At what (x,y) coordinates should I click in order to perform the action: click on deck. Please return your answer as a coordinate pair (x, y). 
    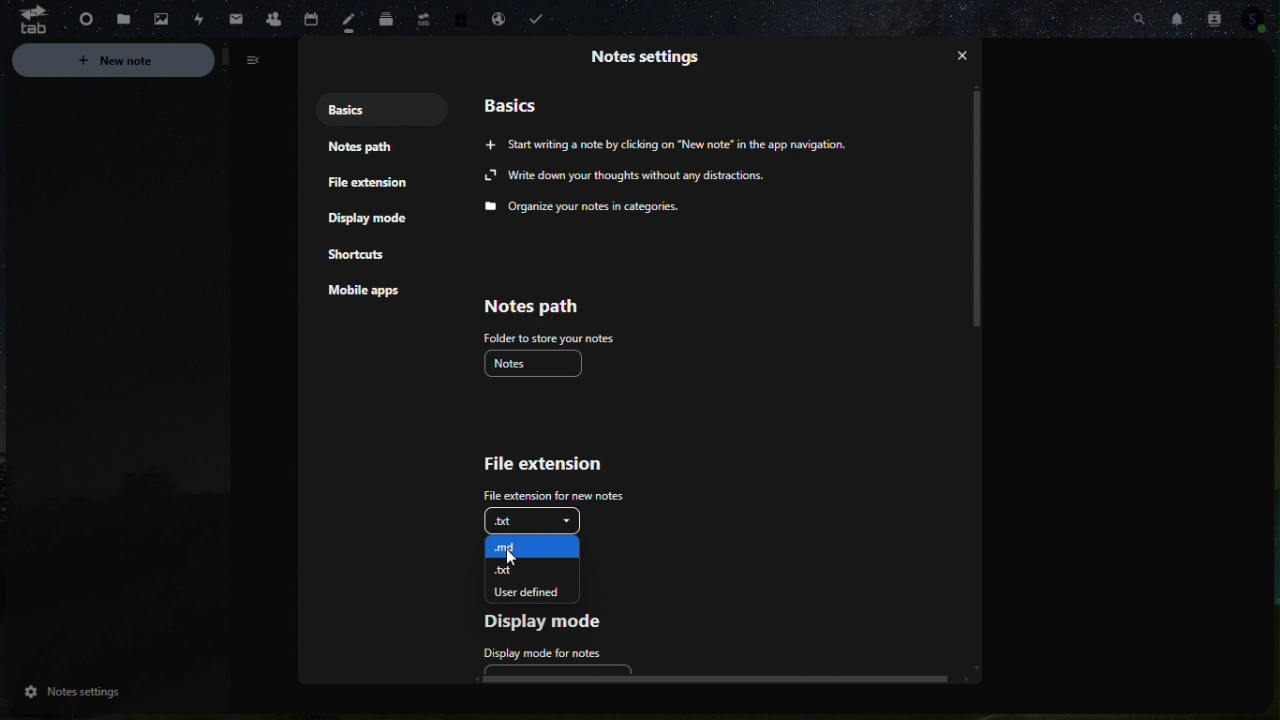
    Looking at the image, I should click on (388, 20).